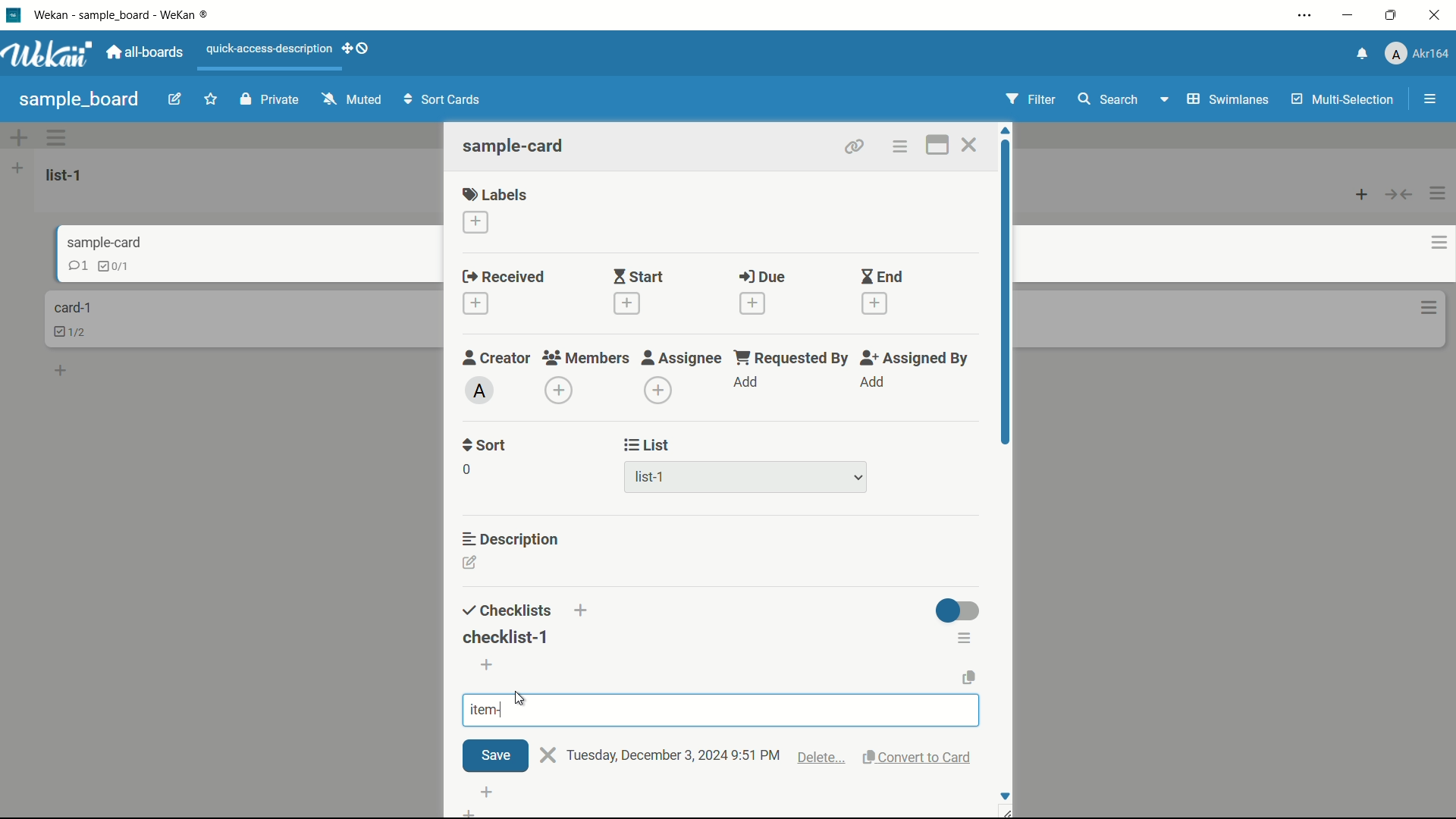  I want to click on list name, so click(67, 175).